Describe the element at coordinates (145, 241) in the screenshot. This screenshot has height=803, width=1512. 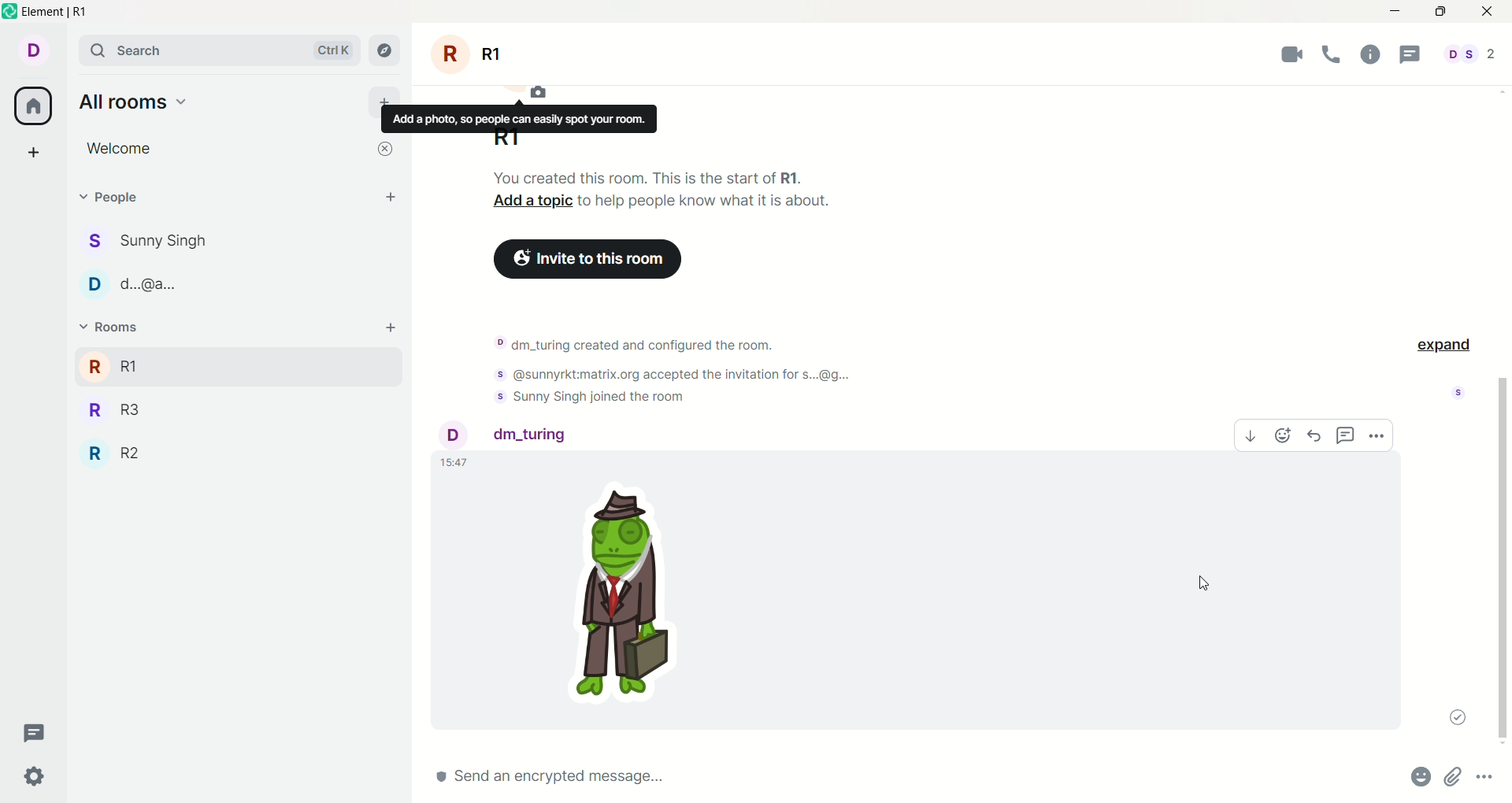
I see `Sunny Singh chat` at that location.